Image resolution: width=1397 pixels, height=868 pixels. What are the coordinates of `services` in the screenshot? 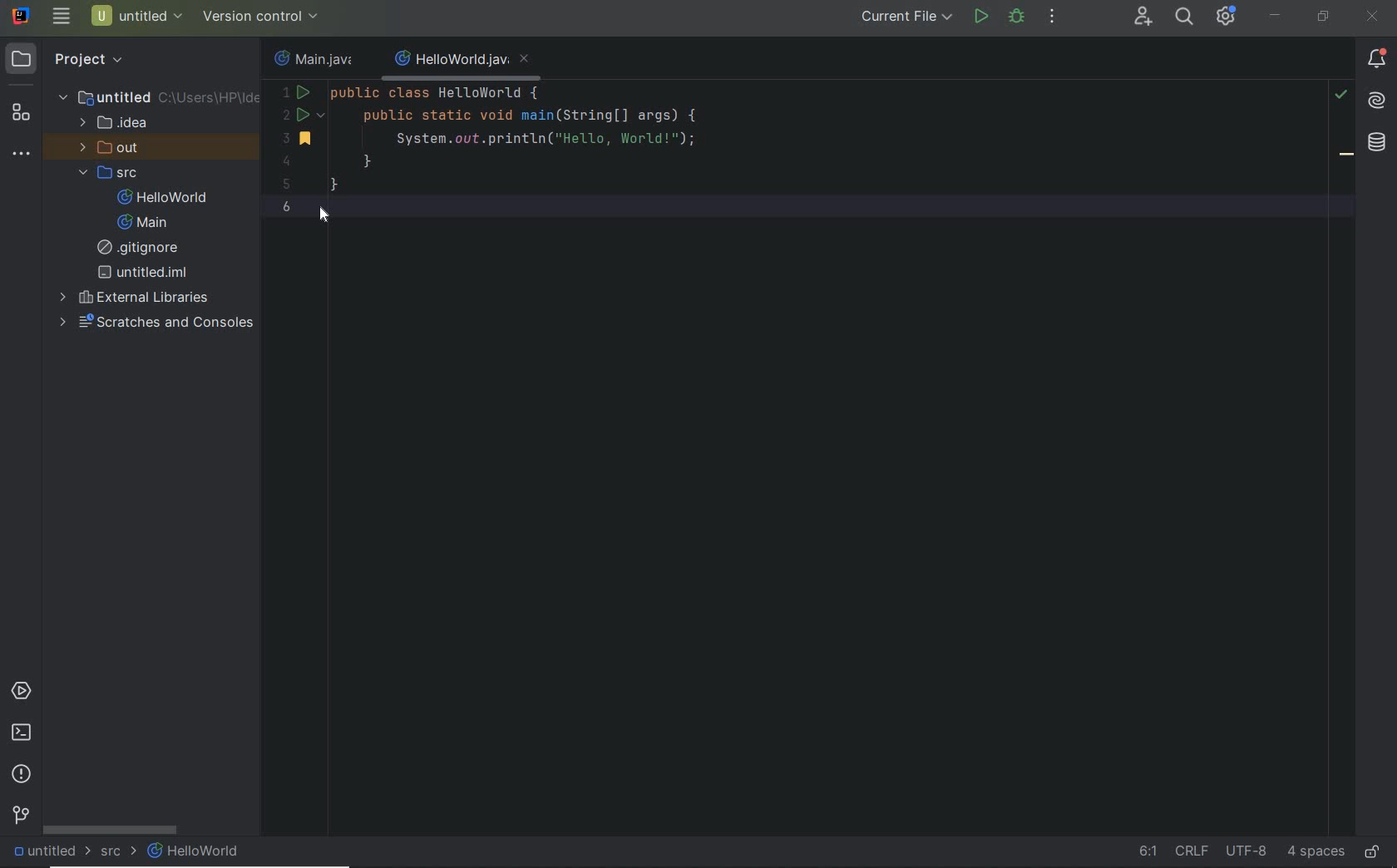 It's located at (21, 692).